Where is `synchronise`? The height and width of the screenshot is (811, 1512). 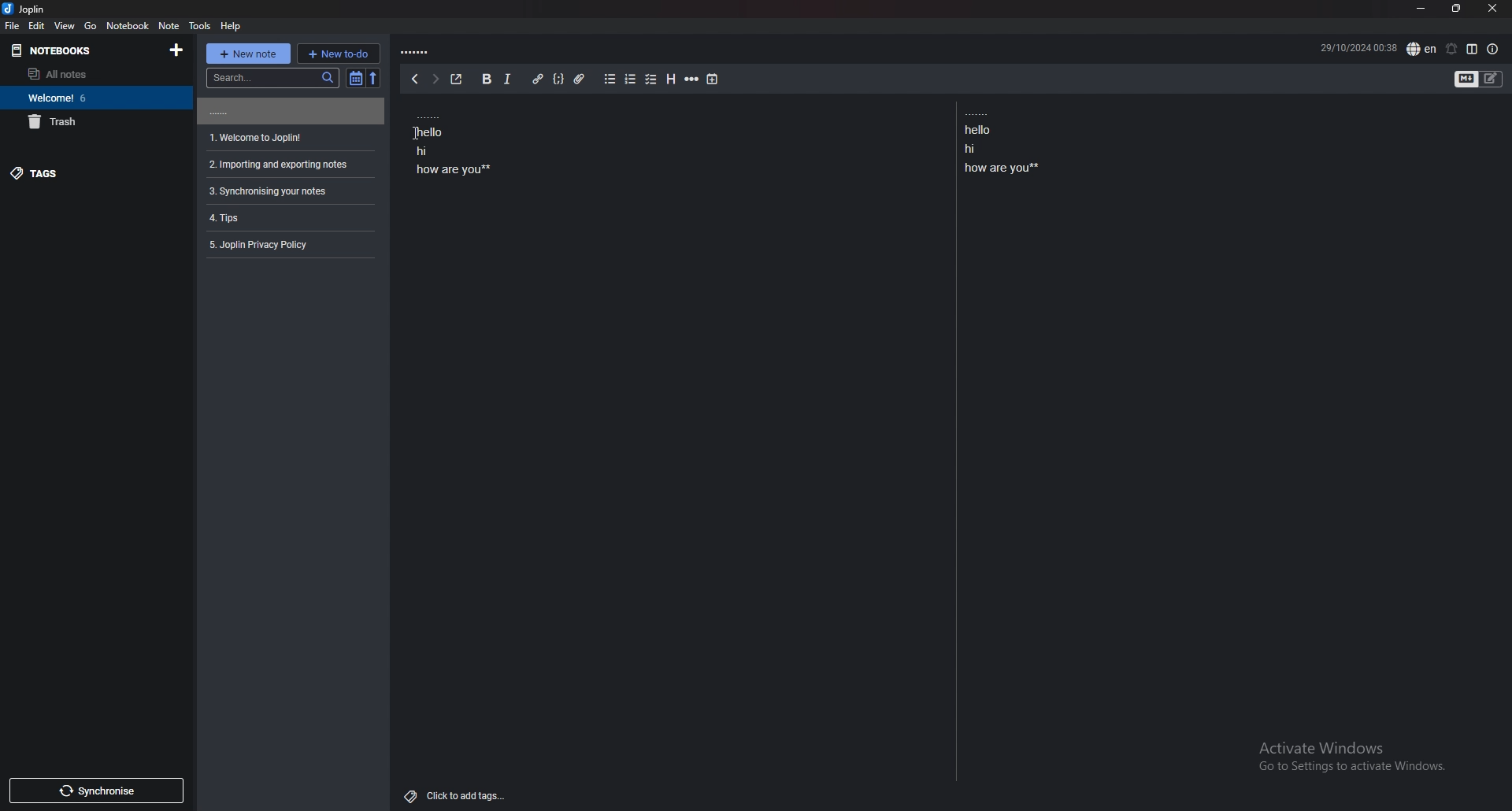 synchronise is located at coordinates (97, 791).